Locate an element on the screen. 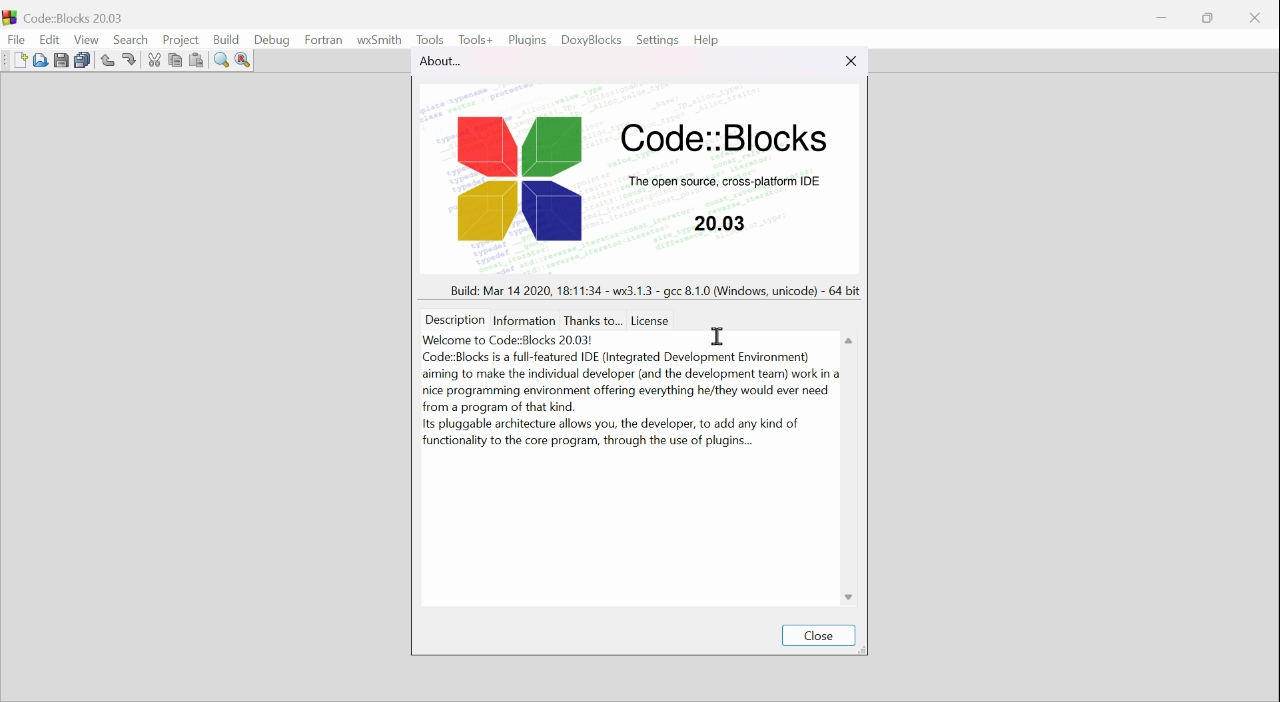 The height and width of the screenshot is (702, 1280). save is located at coordinates (58, 59).